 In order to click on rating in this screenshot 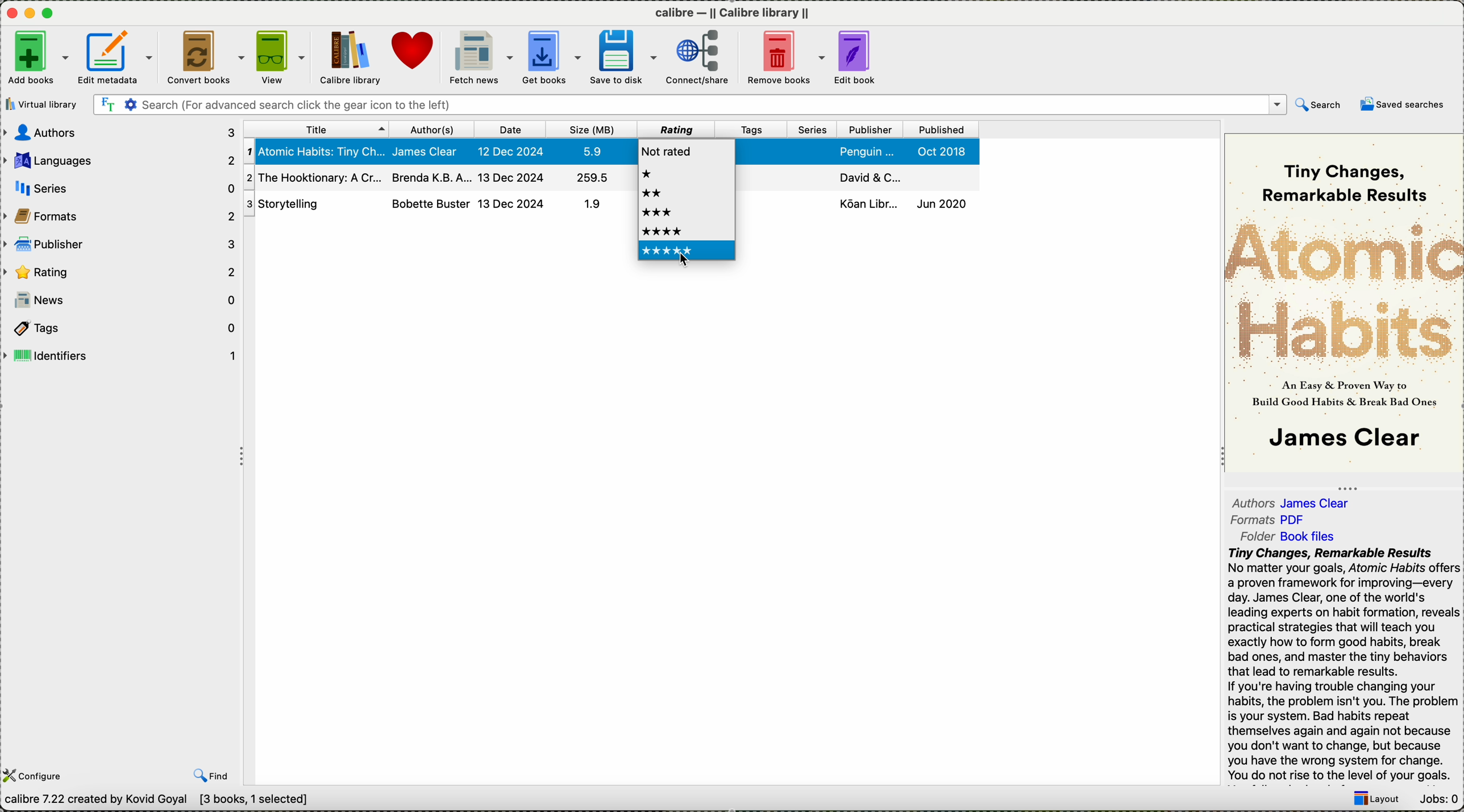, I will do `click(673, 129)`.